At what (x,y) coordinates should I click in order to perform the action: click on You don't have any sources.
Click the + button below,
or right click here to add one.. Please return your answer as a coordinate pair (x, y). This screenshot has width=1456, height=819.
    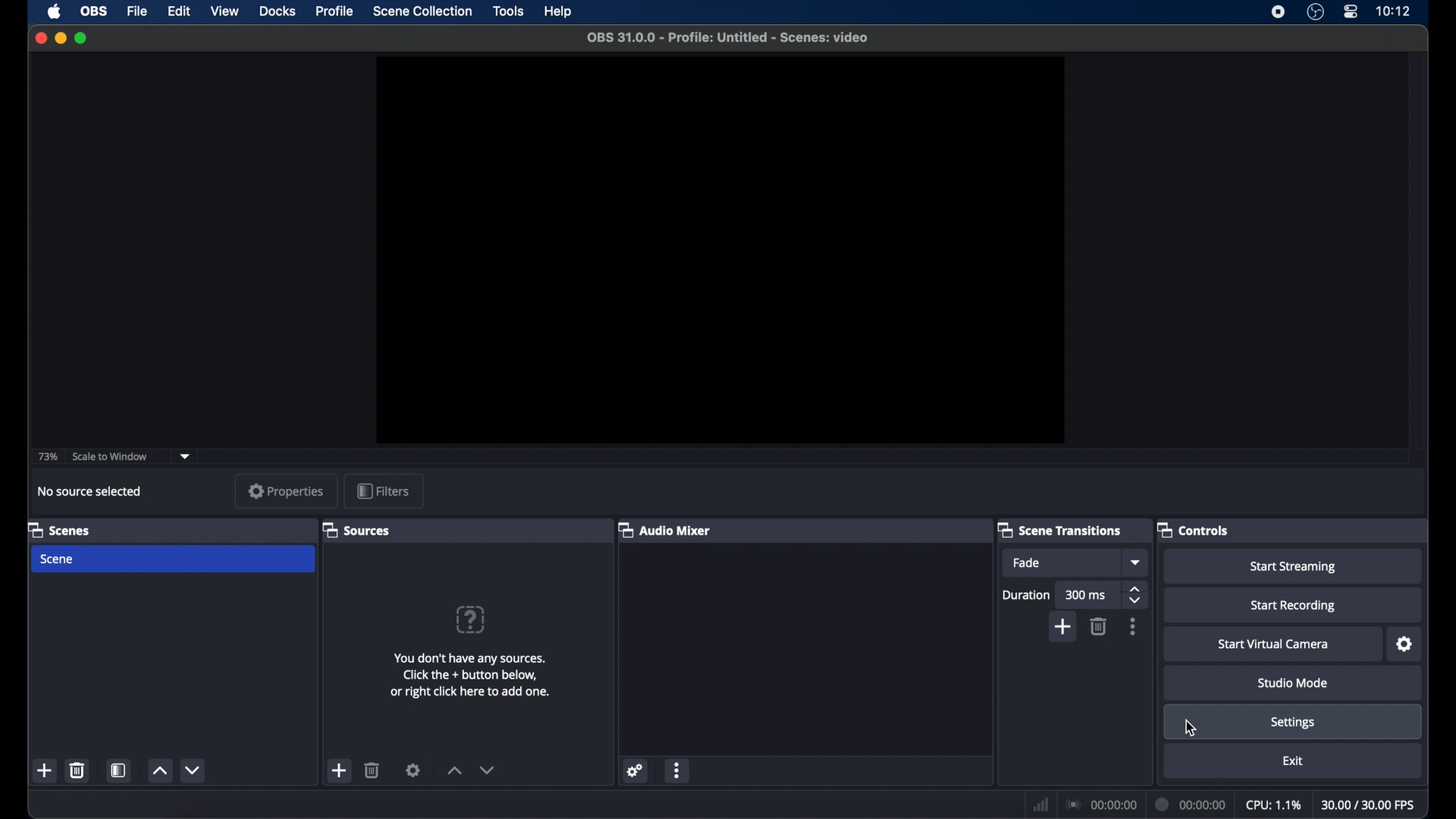
    Looking at the image, I should click on (472, 674).